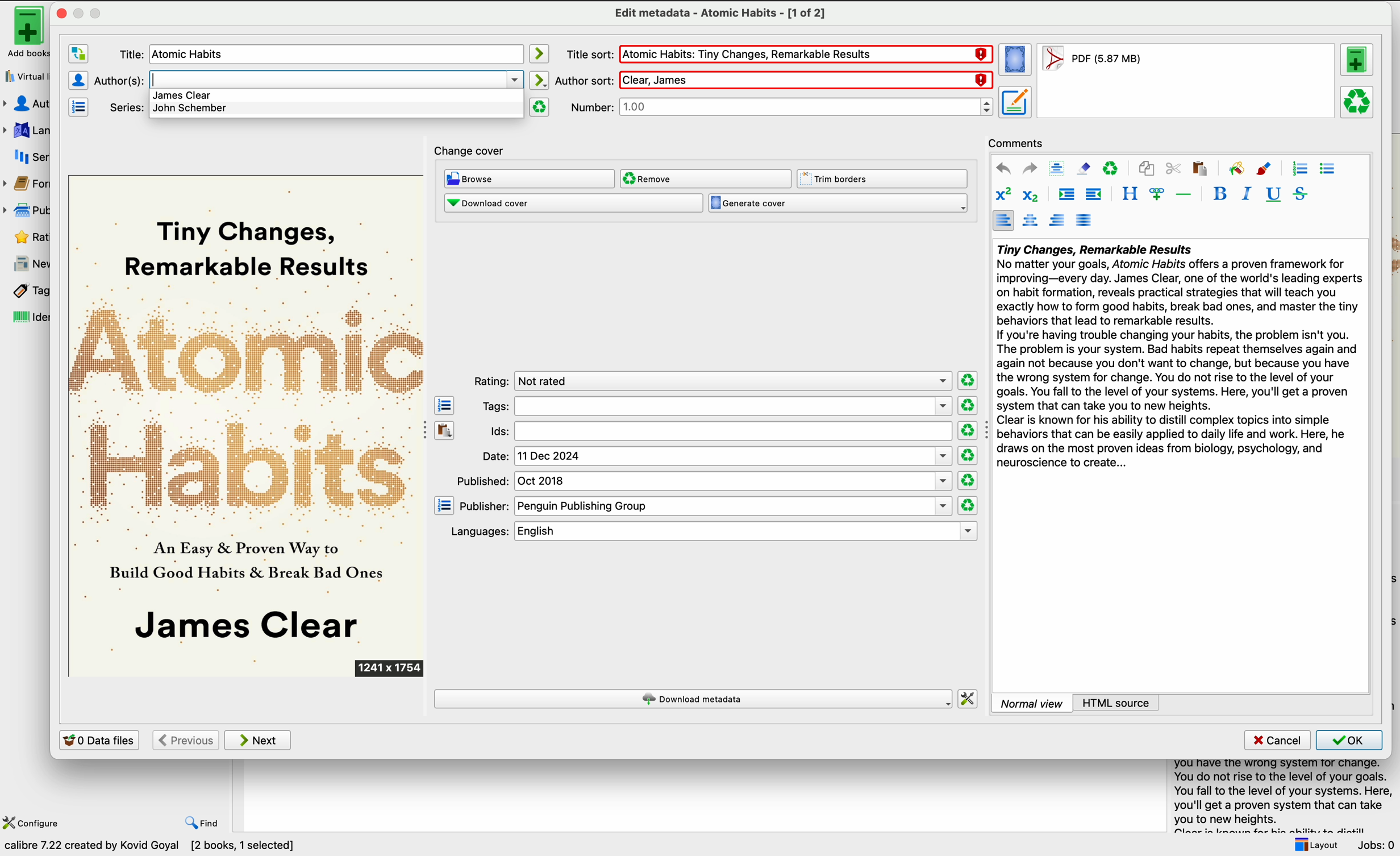 The width and height of the screenshot is (1400, 856). What do you see at coordinates (34, 822) in the screenshot?
I see `configure` at bounding box center [34, 822].